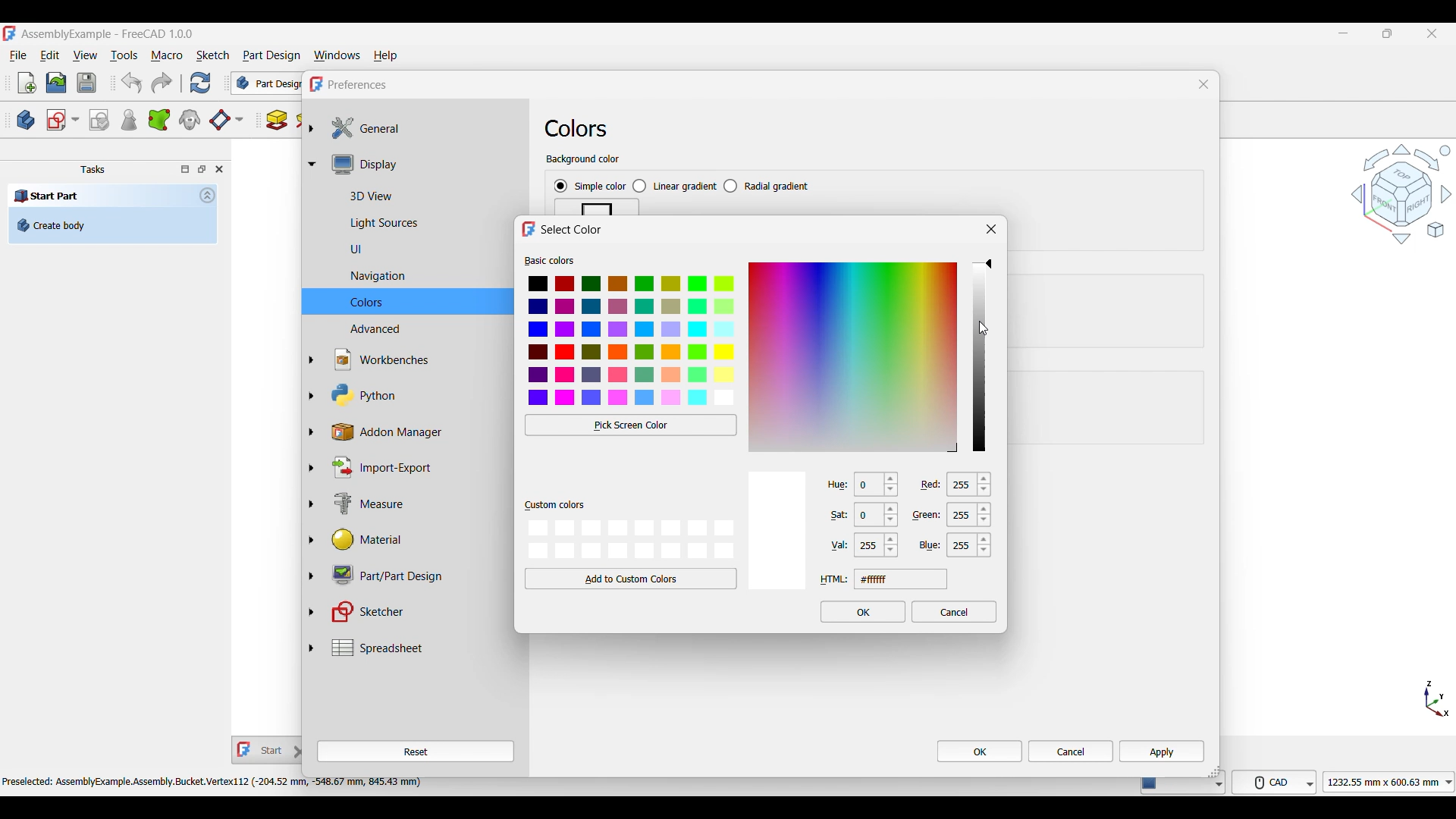  I want to click on green, so click(929, 515).